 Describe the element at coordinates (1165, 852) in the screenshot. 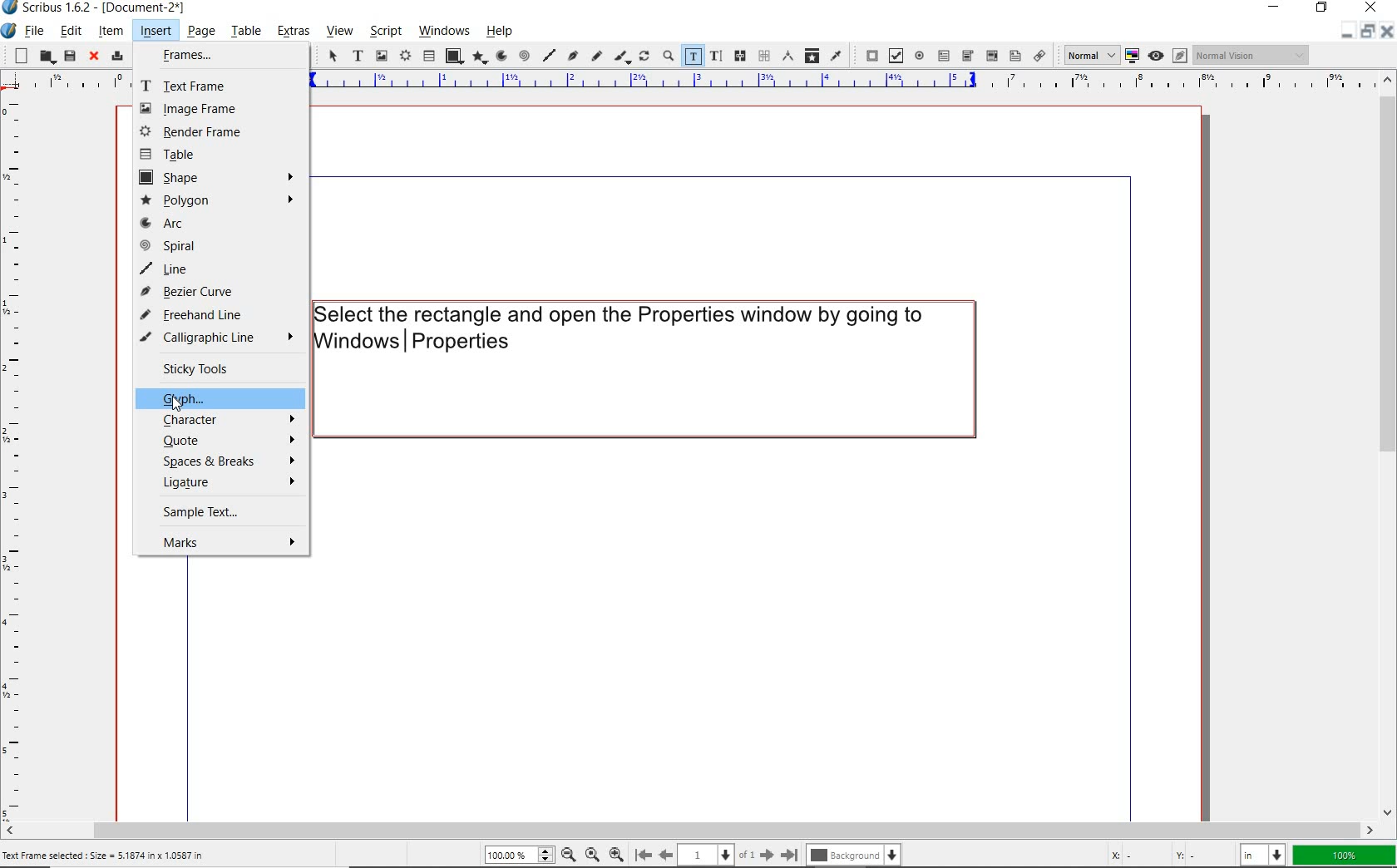

I see `X 22675 Y: 18314` at that location.